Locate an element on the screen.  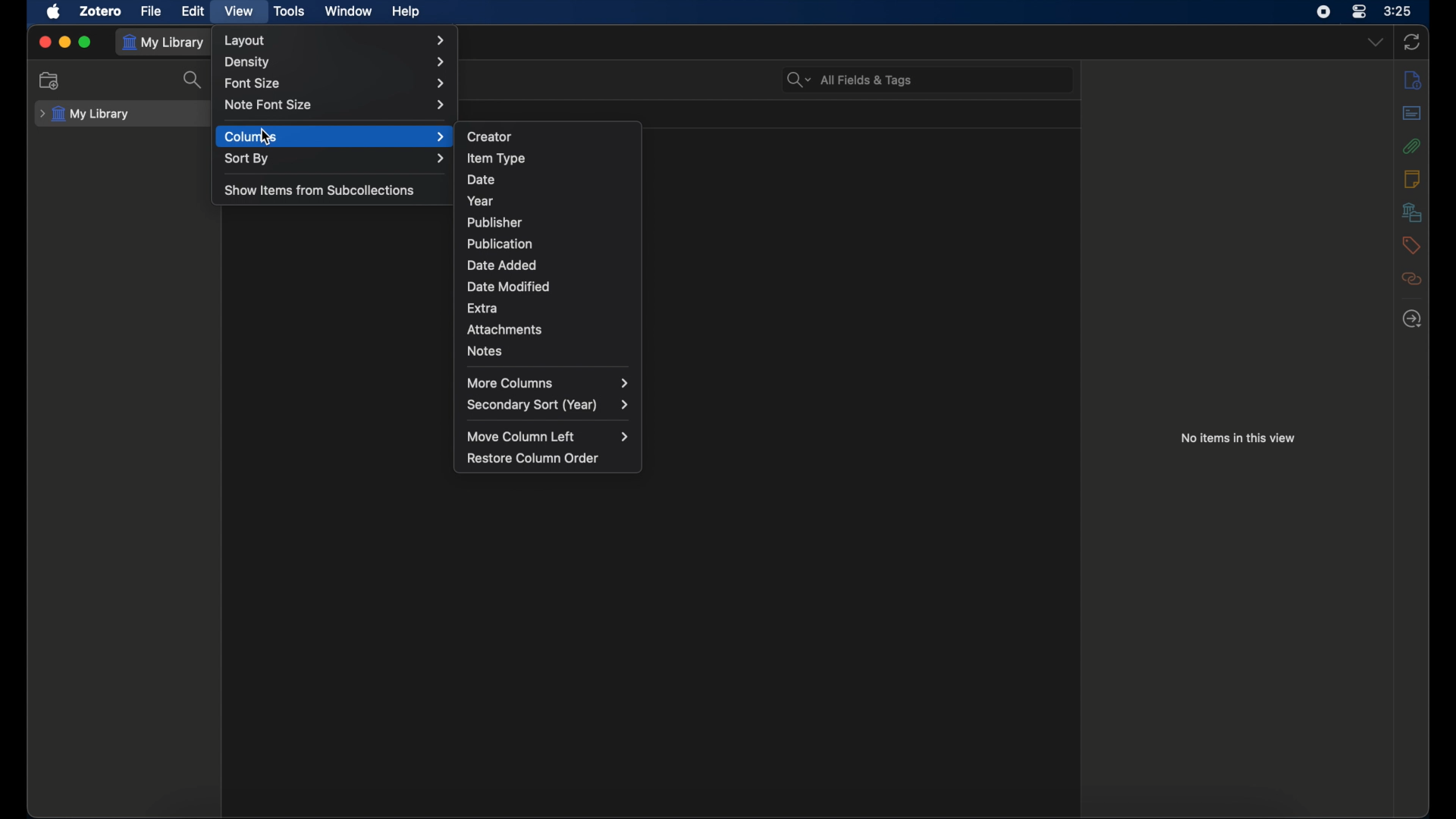
no items in this view is located at coordinates (1238, 437).